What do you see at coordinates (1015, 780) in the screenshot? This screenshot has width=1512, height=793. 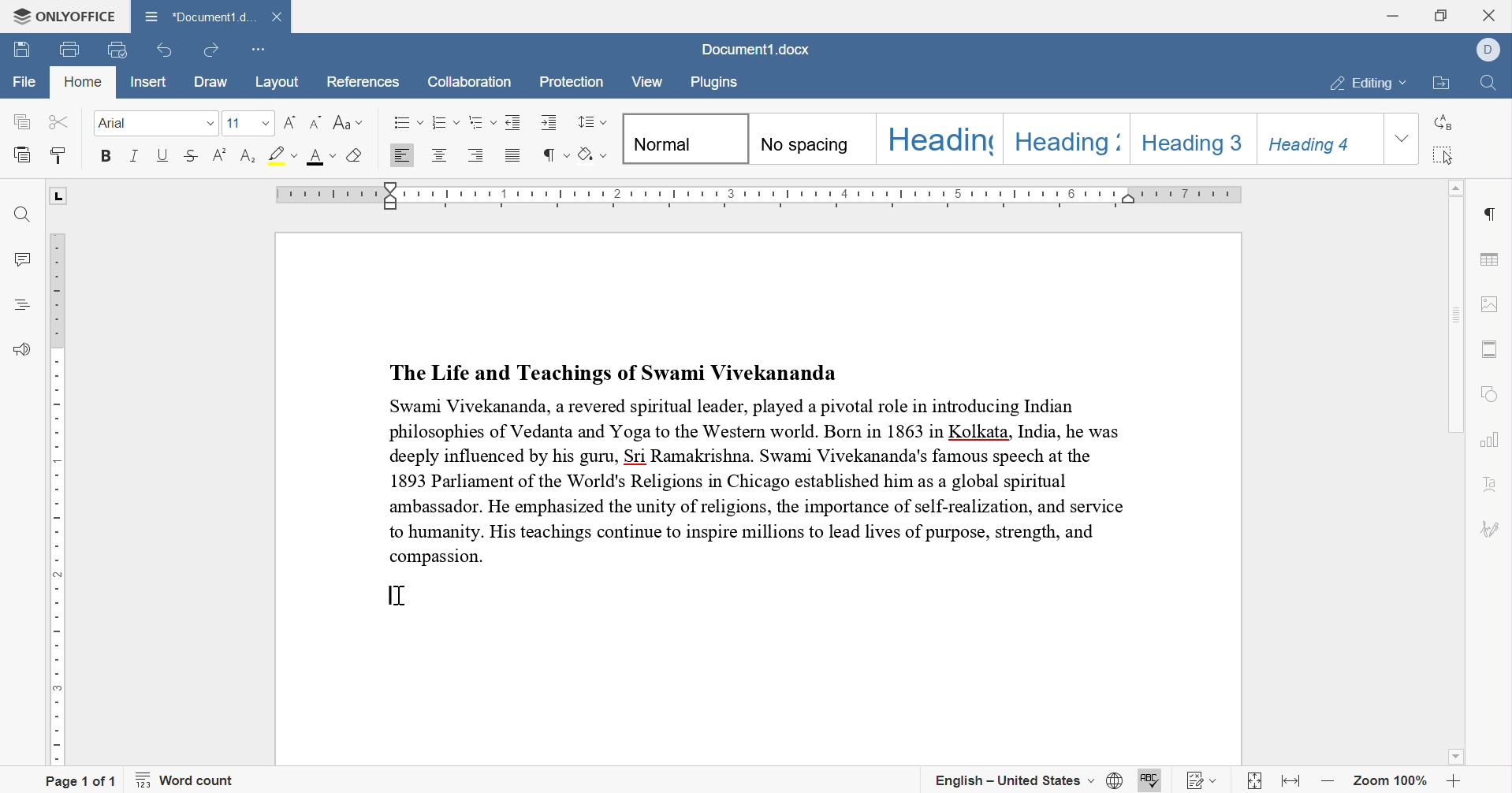 I see `english - united states` at bounding box center [1015, 780].